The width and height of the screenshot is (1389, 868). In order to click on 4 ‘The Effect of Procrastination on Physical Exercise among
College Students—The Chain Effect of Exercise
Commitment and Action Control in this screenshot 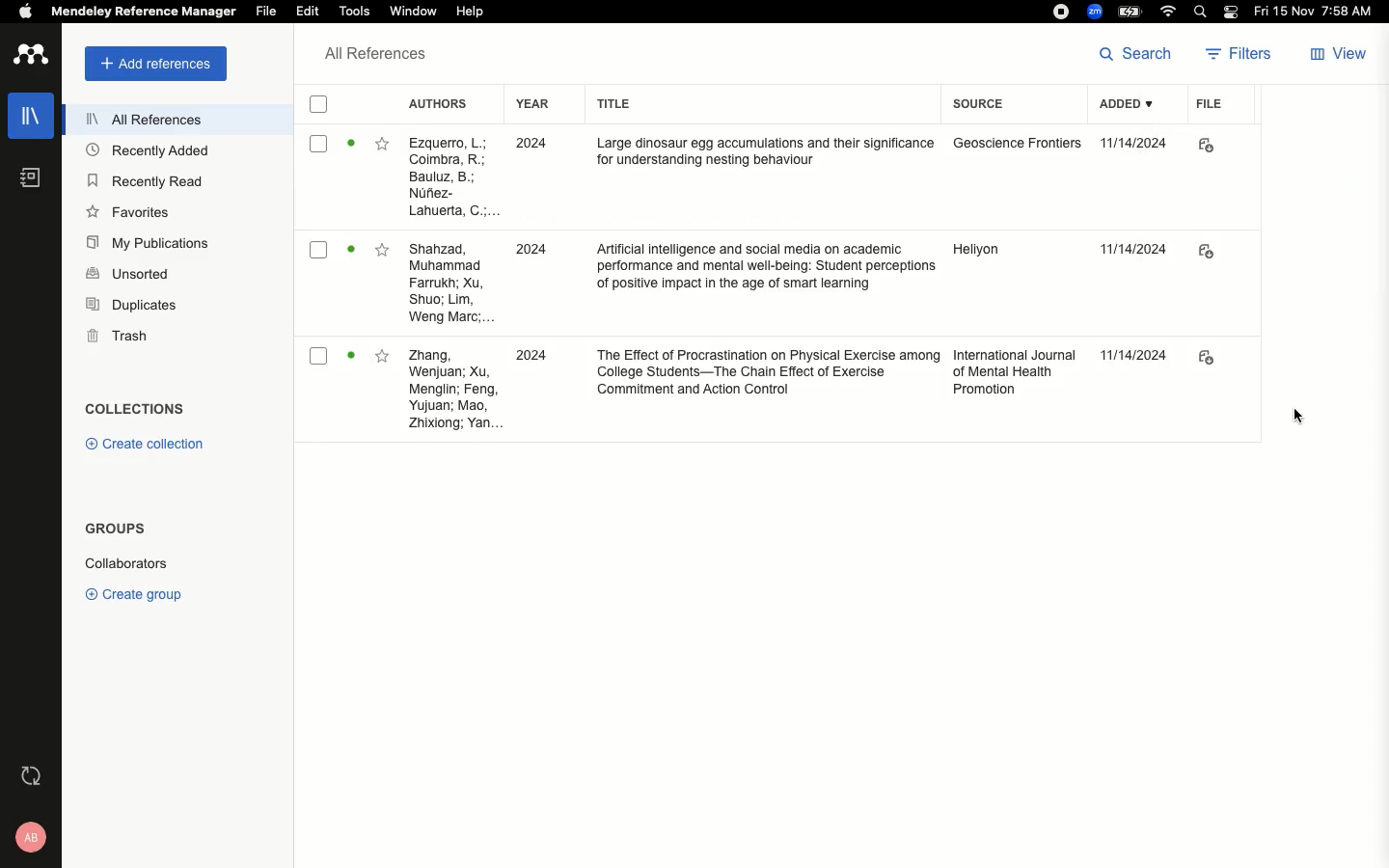, I will do `click(767, 375)`.